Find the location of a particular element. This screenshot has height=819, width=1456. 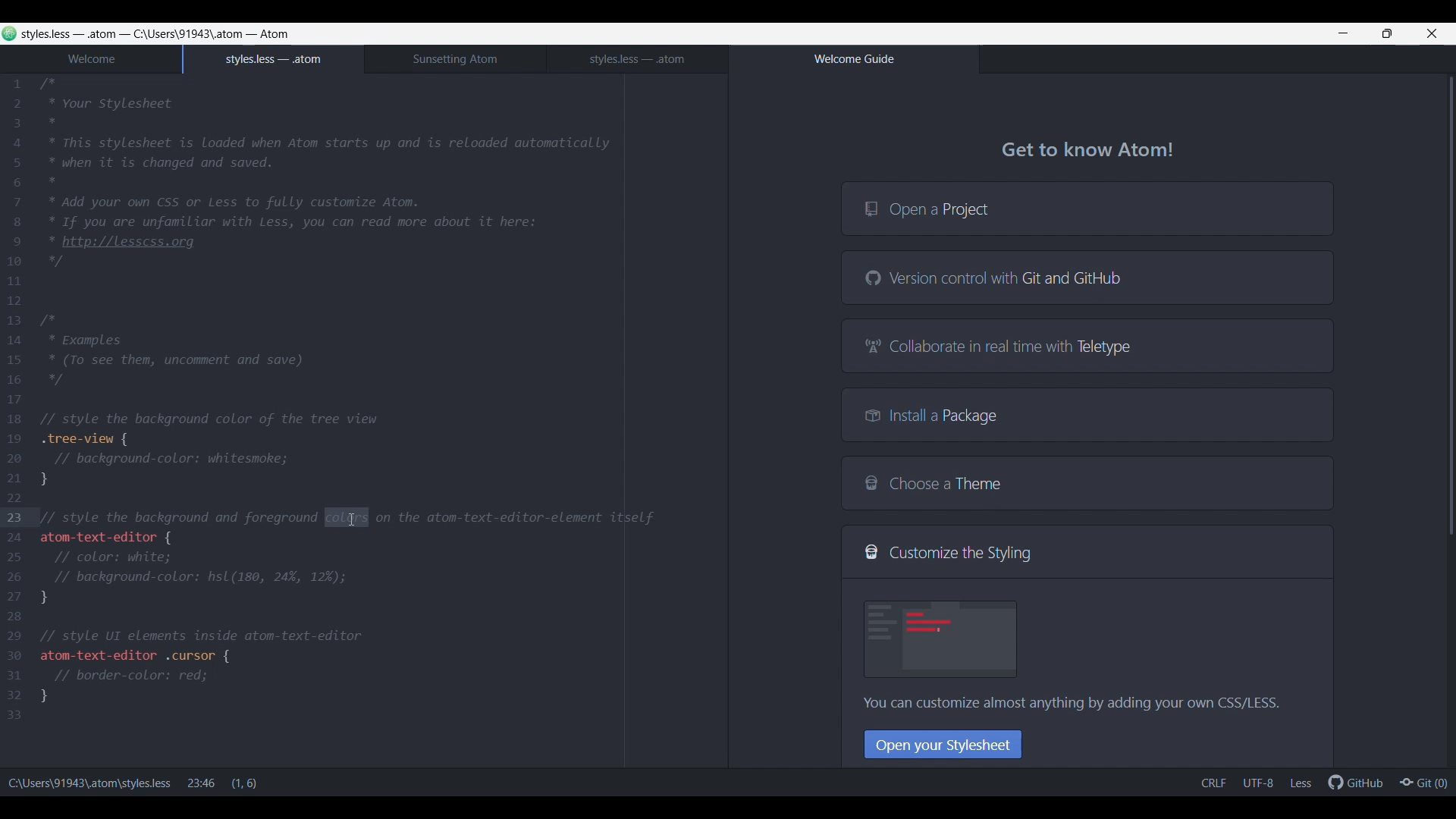

Get to know Atom! is located at coordinates (1088, 152).